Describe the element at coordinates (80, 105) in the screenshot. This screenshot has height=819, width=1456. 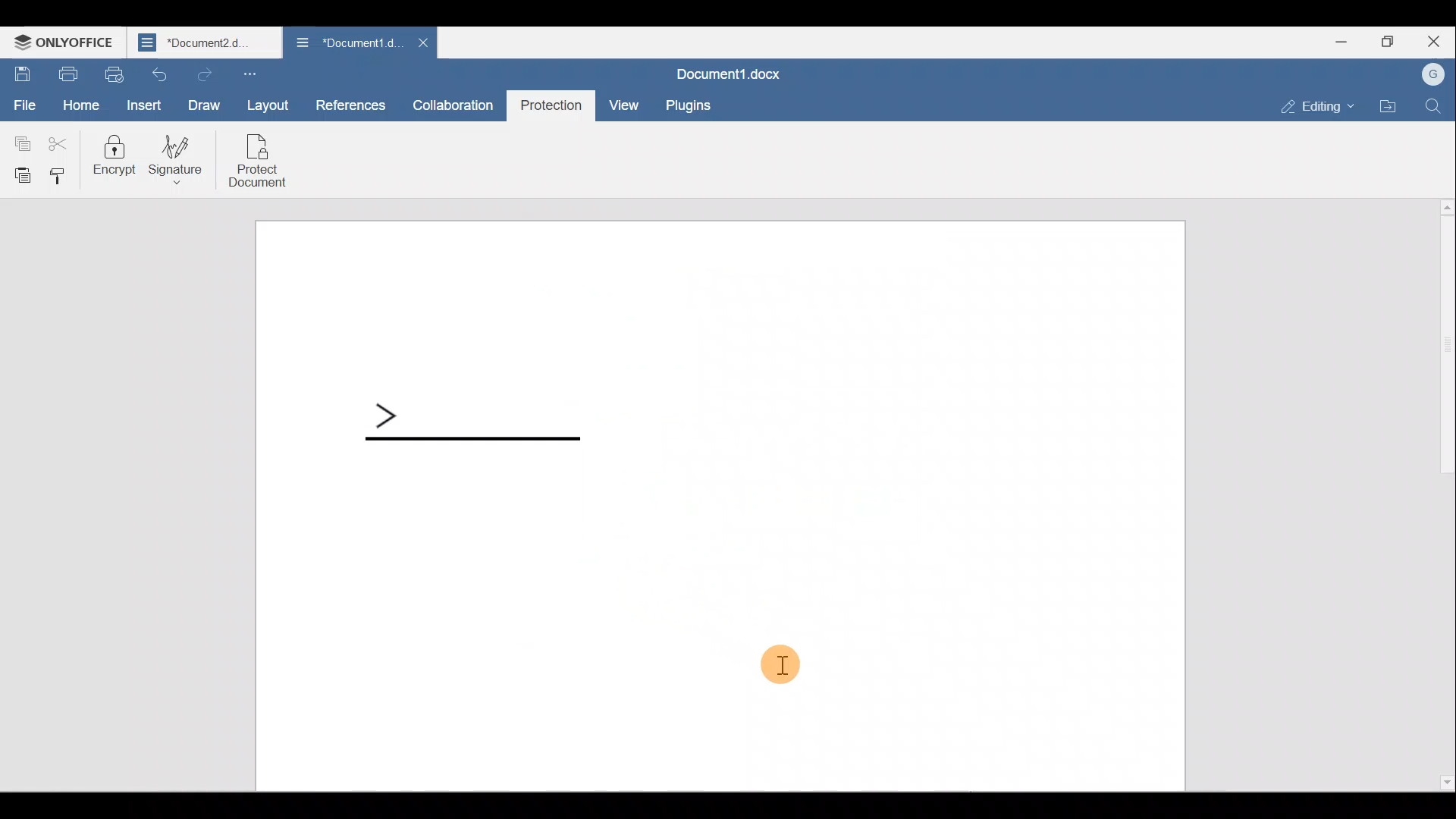
I see `Home` at that location.